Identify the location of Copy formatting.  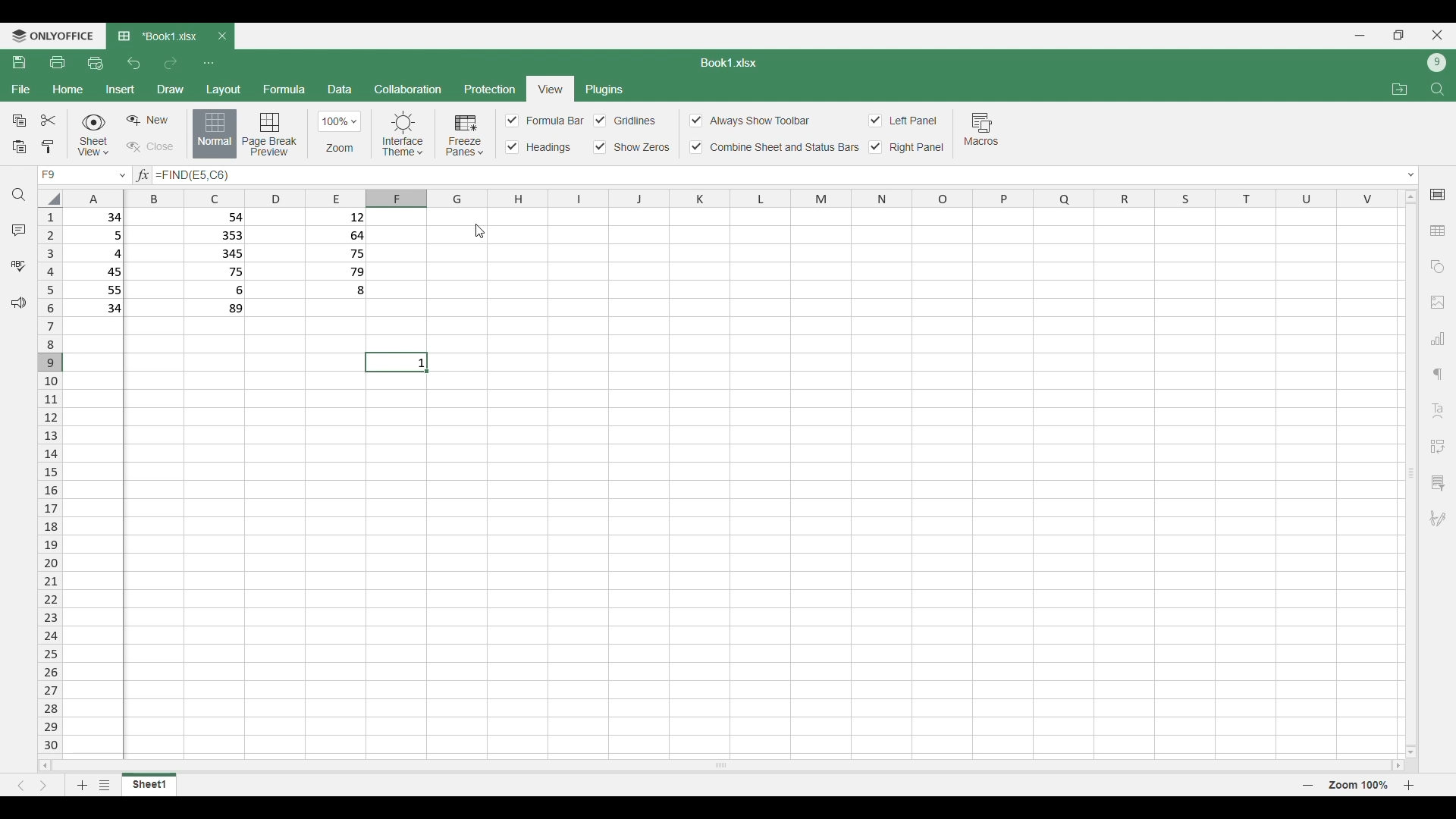
(48, 147).